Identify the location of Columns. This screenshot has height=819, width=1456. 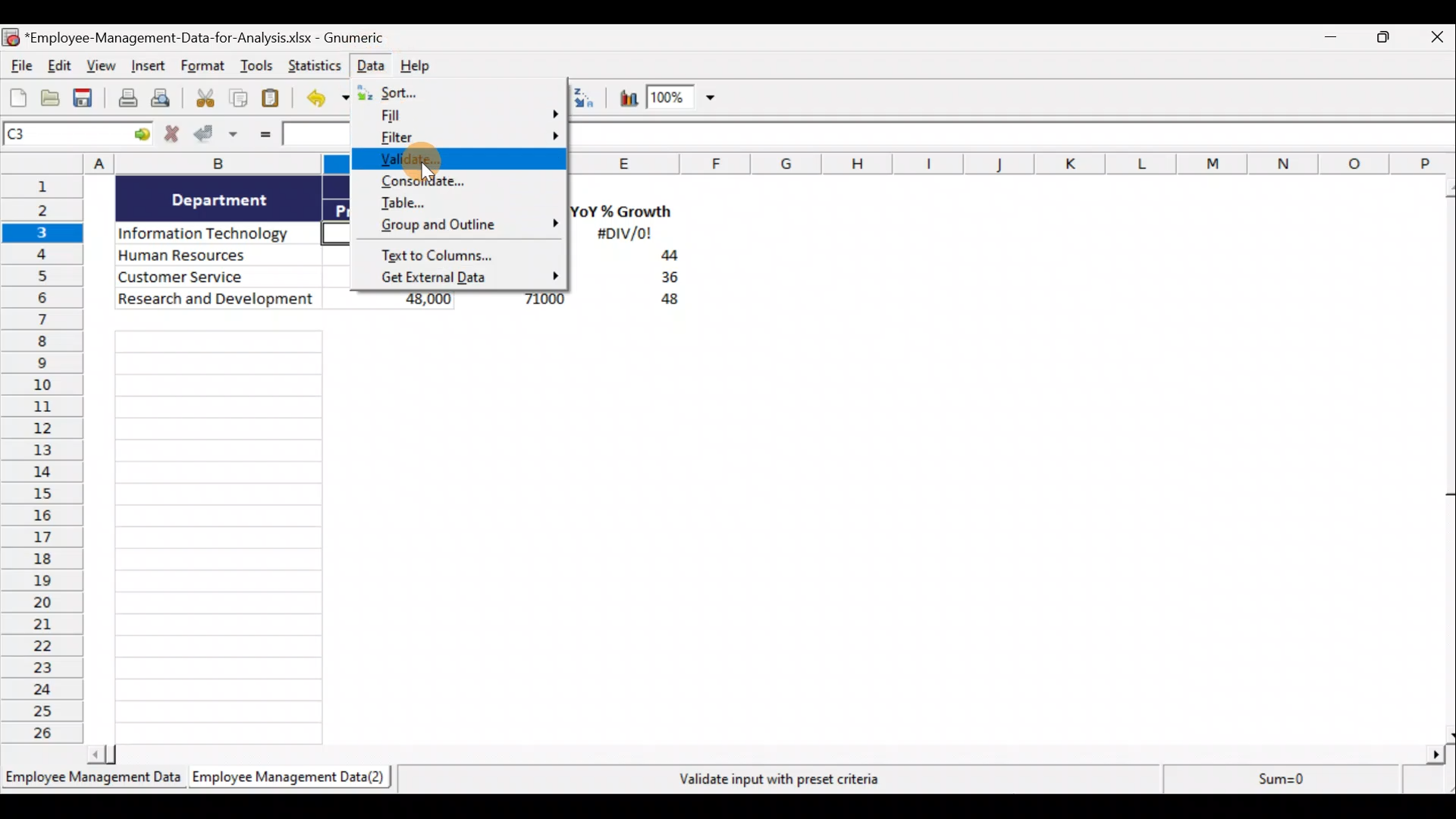
(1013, 163).